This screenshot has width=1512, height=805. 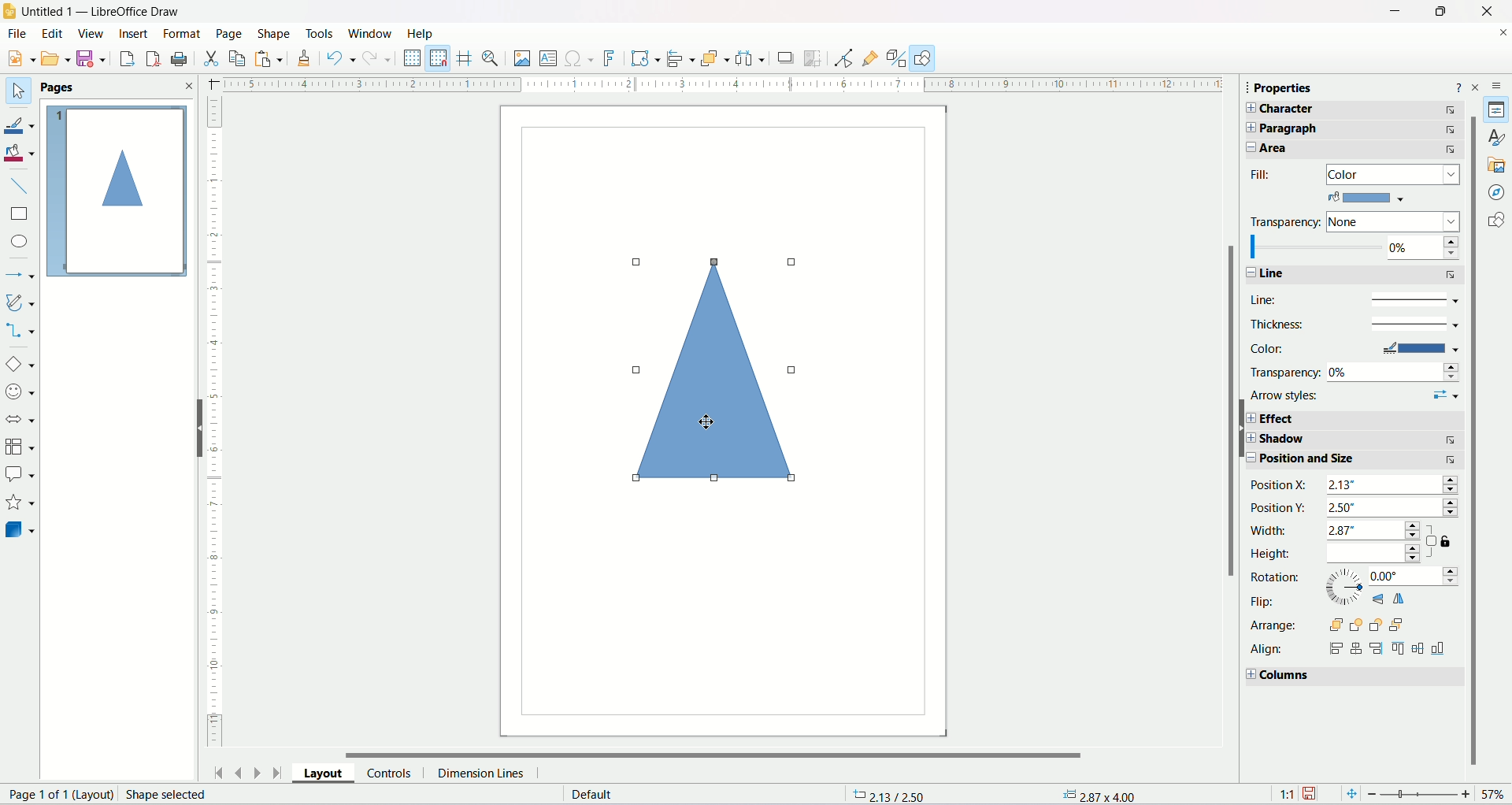 What do you see at coordinates (1499, 191) in the screenshot?
I see `Navigator` at bounding box center [1499, 191].